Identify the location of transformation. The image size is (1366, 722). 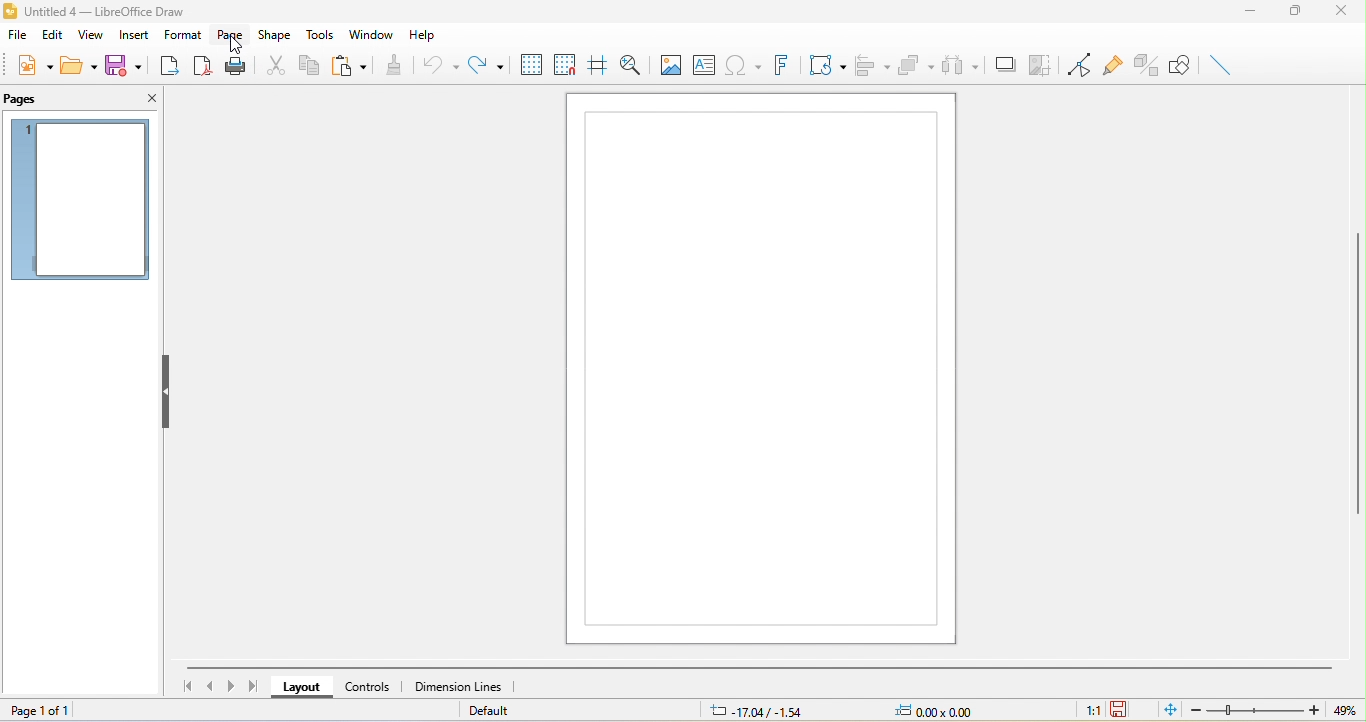
(828, 67).